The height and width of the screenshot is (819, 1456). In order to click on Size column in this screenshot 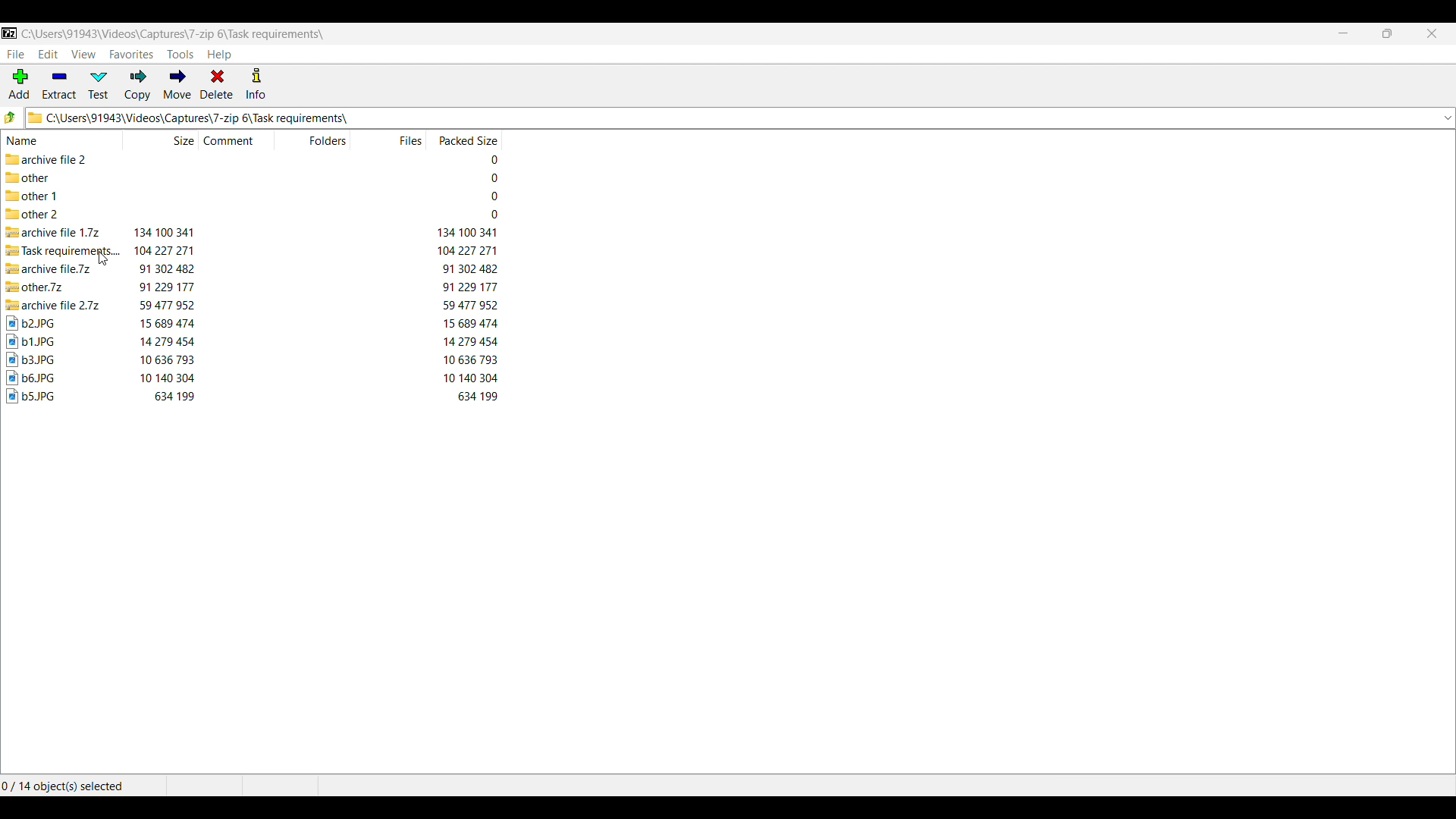, I will do `click(161, 140)`.